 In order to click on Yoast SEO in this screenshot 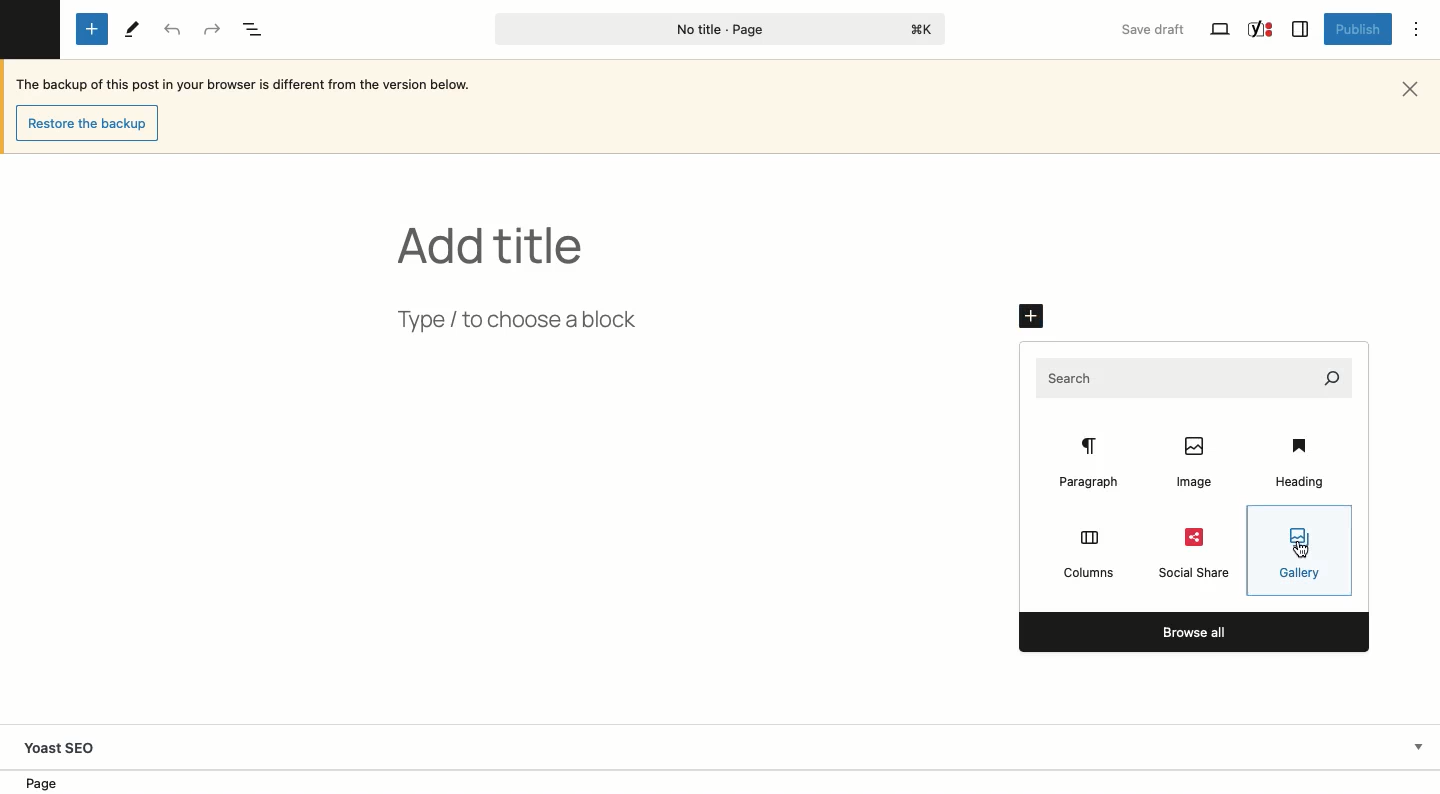, I will do `click(727, 748)`.